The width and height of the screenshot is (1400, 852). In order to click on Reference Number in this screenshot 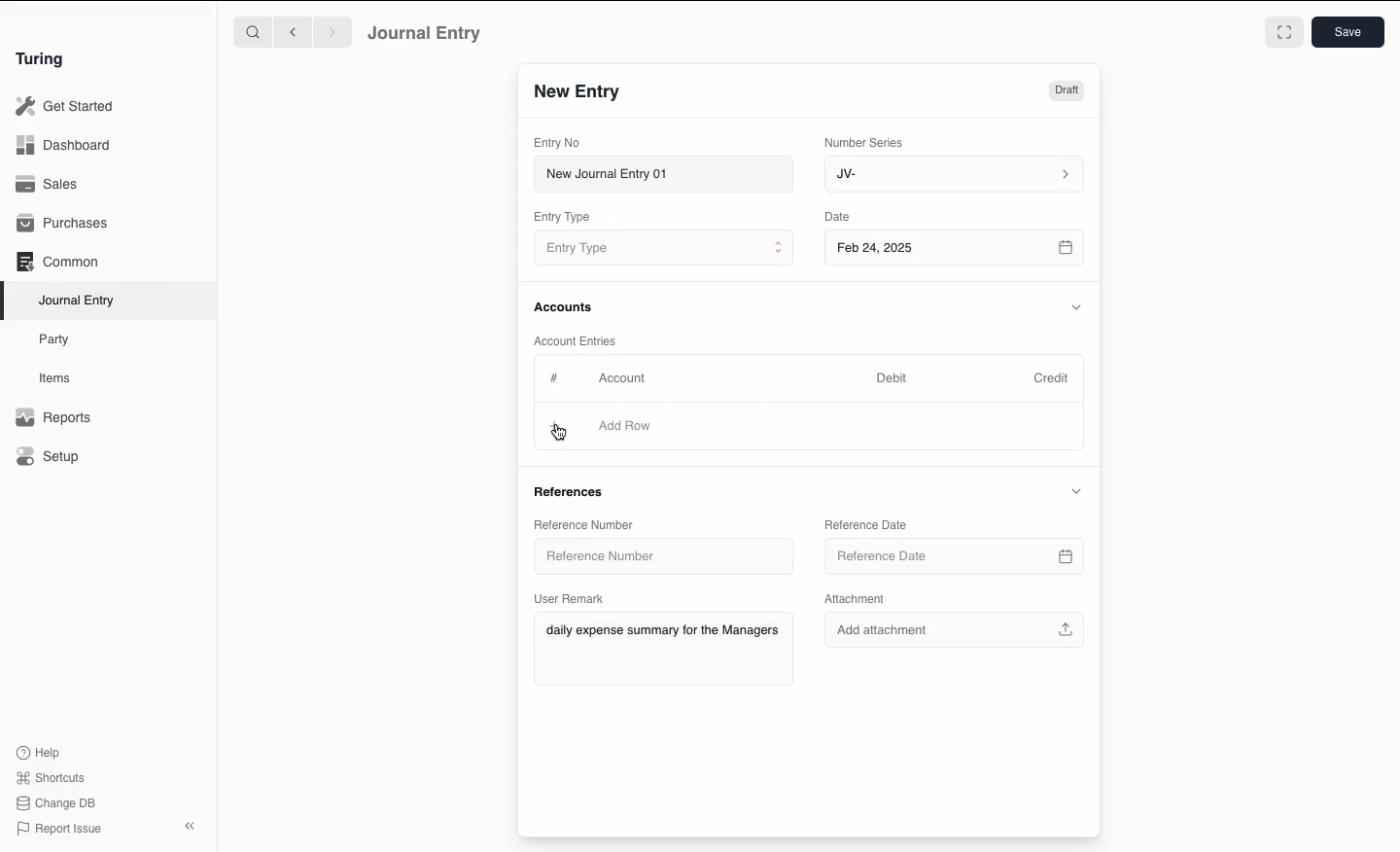, I will do `click(582, 524)`.